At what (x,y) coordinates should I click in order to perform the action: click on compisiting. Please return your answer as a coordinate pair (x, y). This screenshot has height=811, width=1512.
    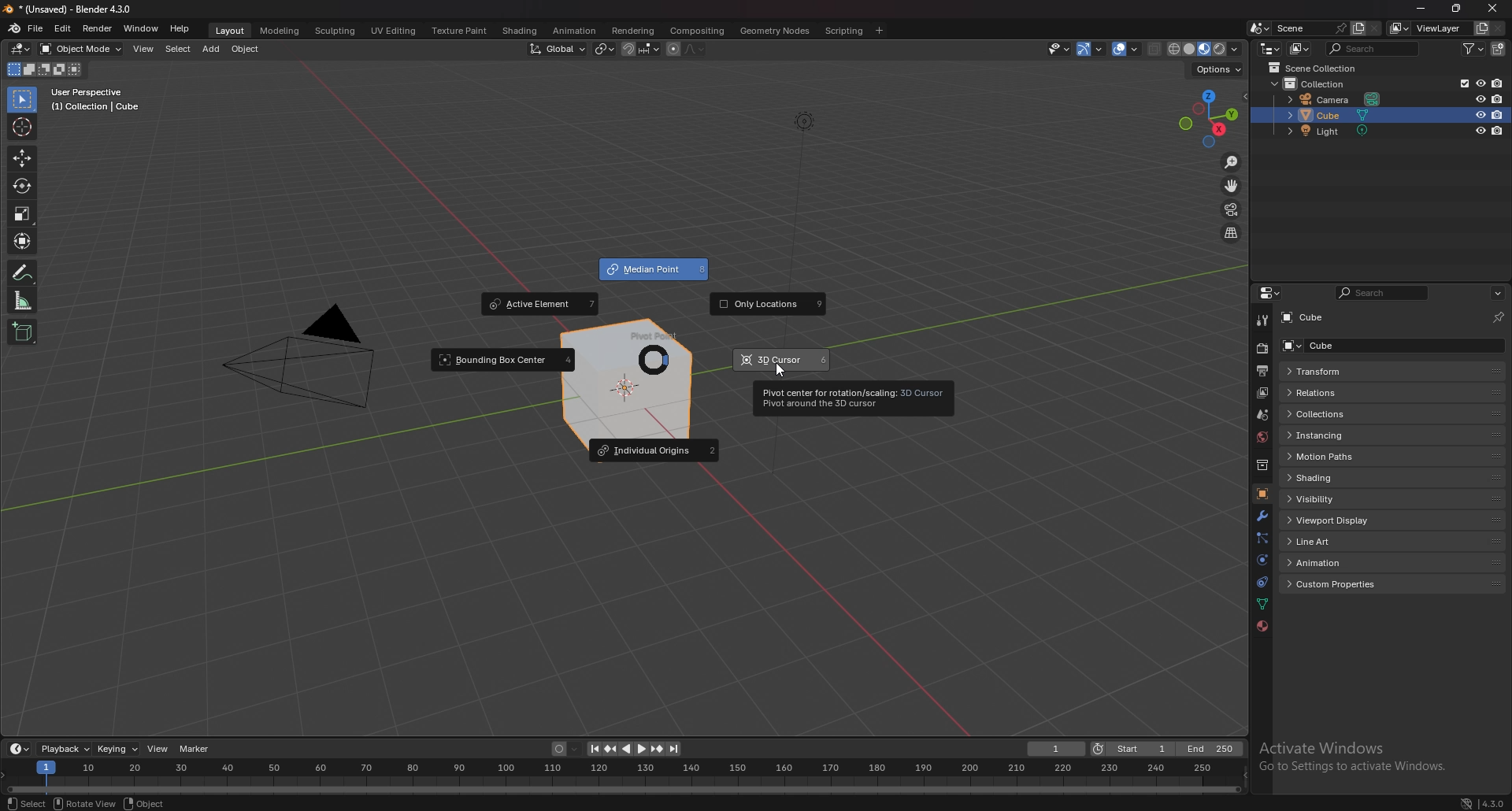
    Looking at the image, I should click on (697, 31).